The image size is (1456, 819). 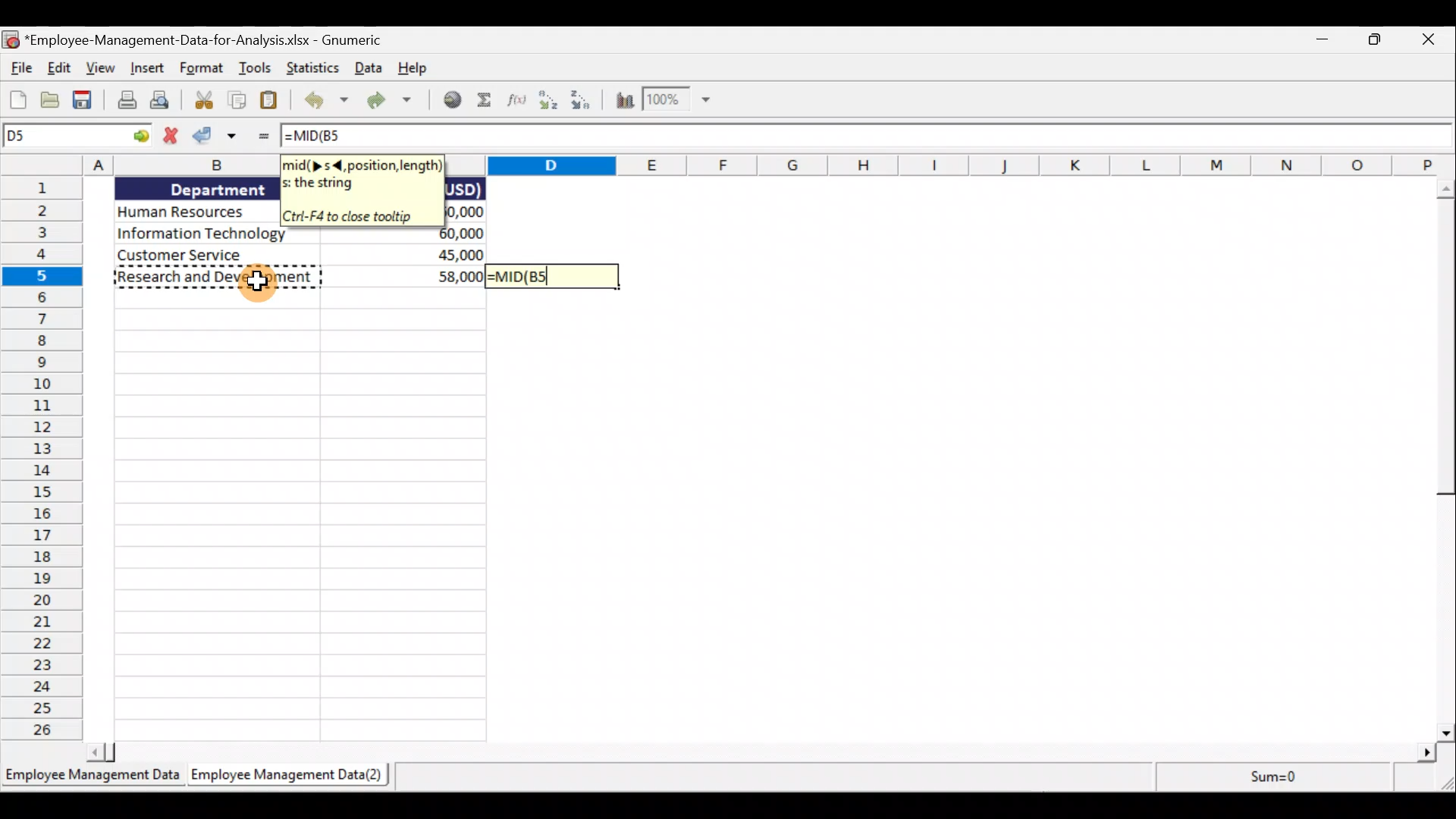 I want to click on Format, so click(x=202, y=69).